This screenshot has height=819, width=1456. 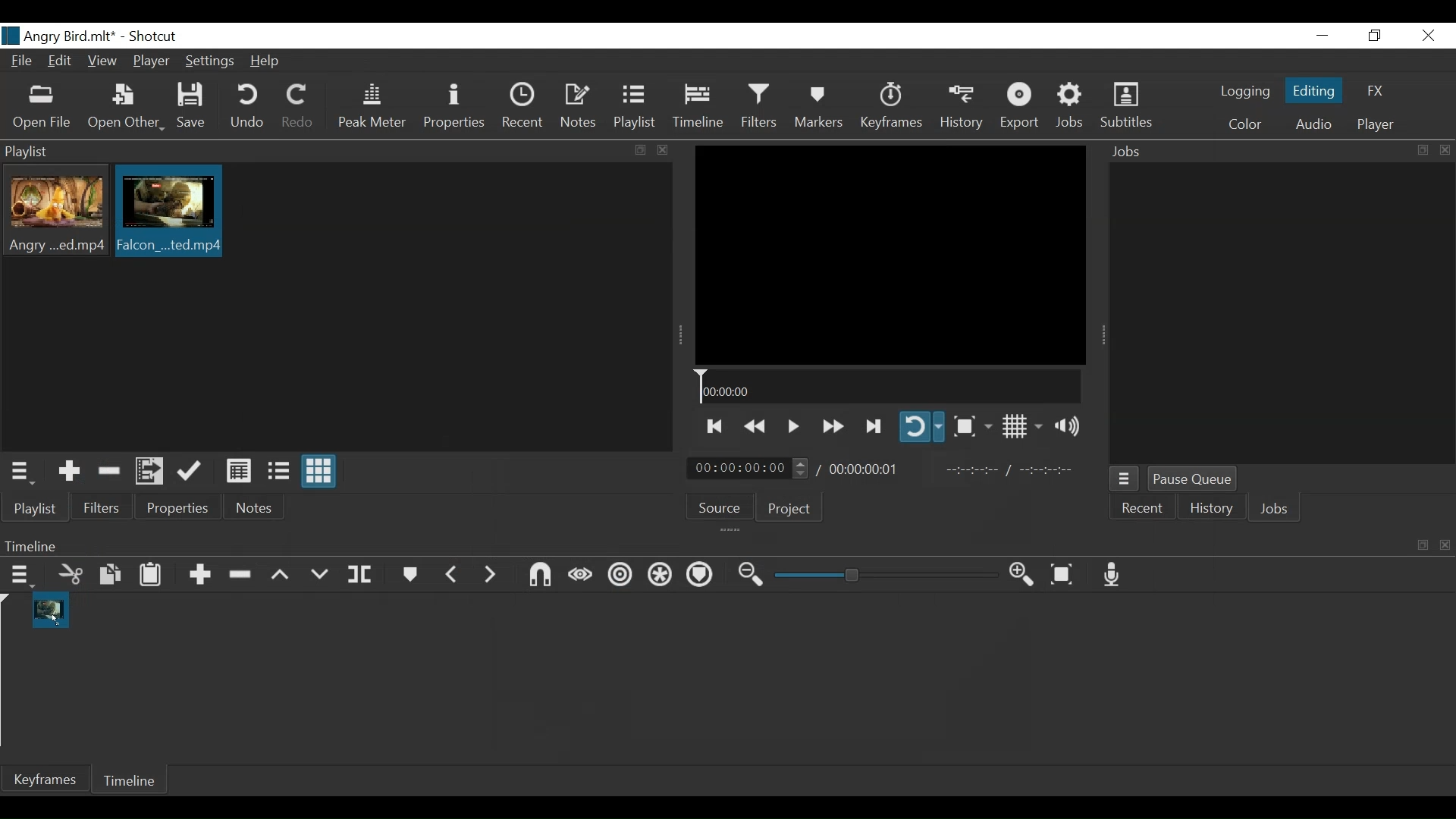 What do you see at coordinates (1245, 93) in the screenshot?
I see `logging` at bounding box center [1245, 93].